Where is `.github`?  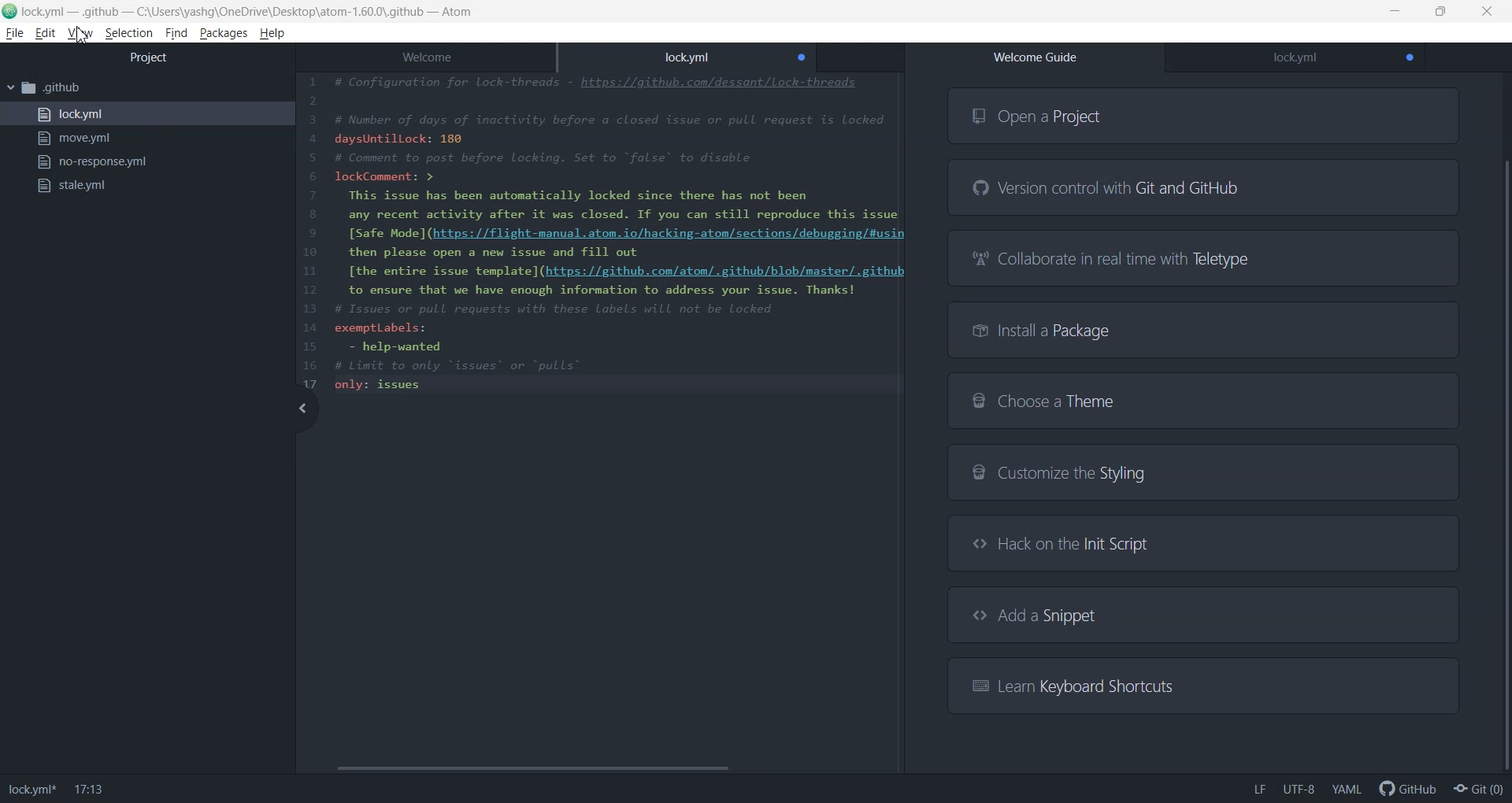 .github is located at coordinates (146, 89).